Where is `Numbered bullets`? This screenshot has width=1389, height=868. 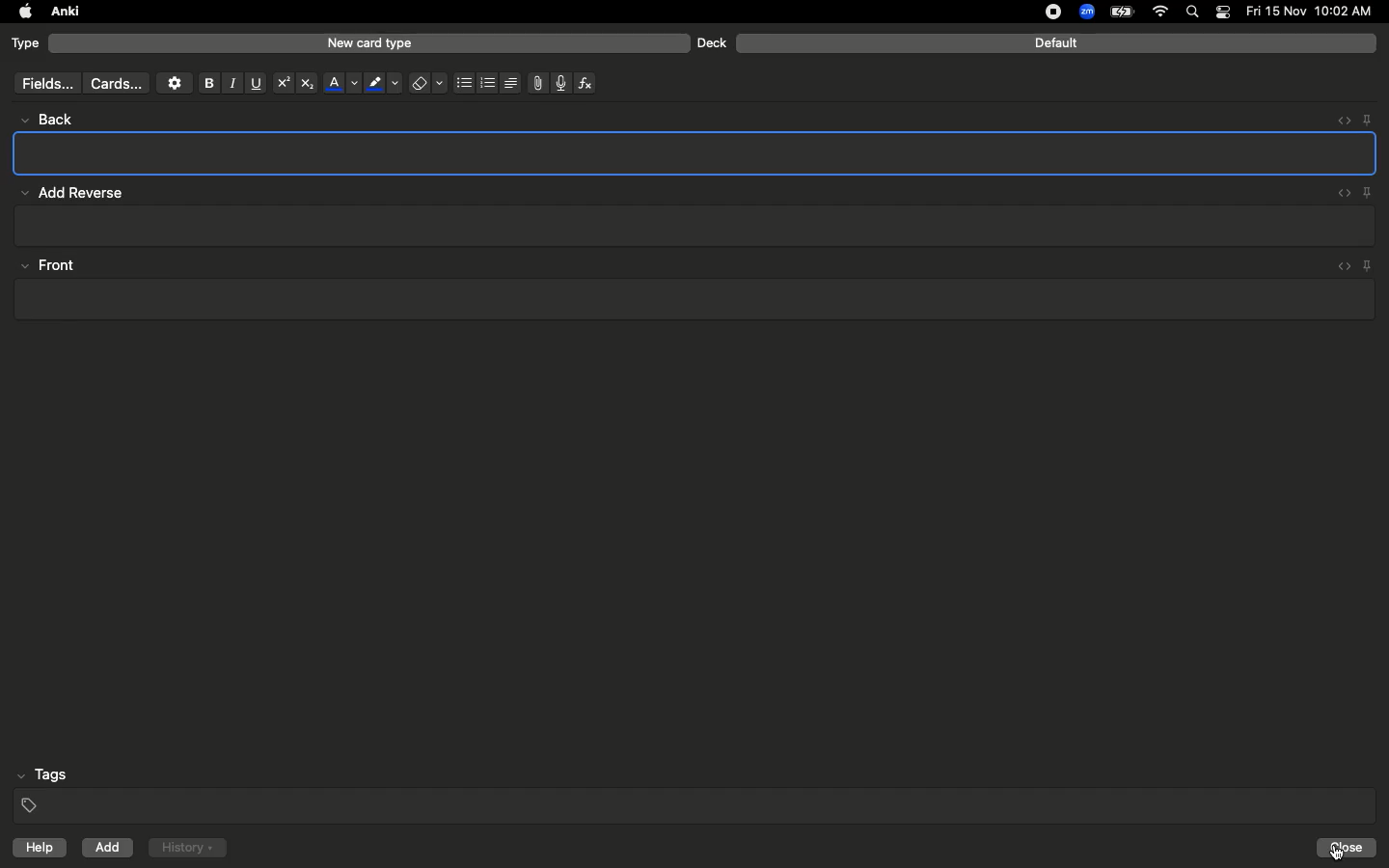
Numbered bullets is located at coordinates (488, 83).